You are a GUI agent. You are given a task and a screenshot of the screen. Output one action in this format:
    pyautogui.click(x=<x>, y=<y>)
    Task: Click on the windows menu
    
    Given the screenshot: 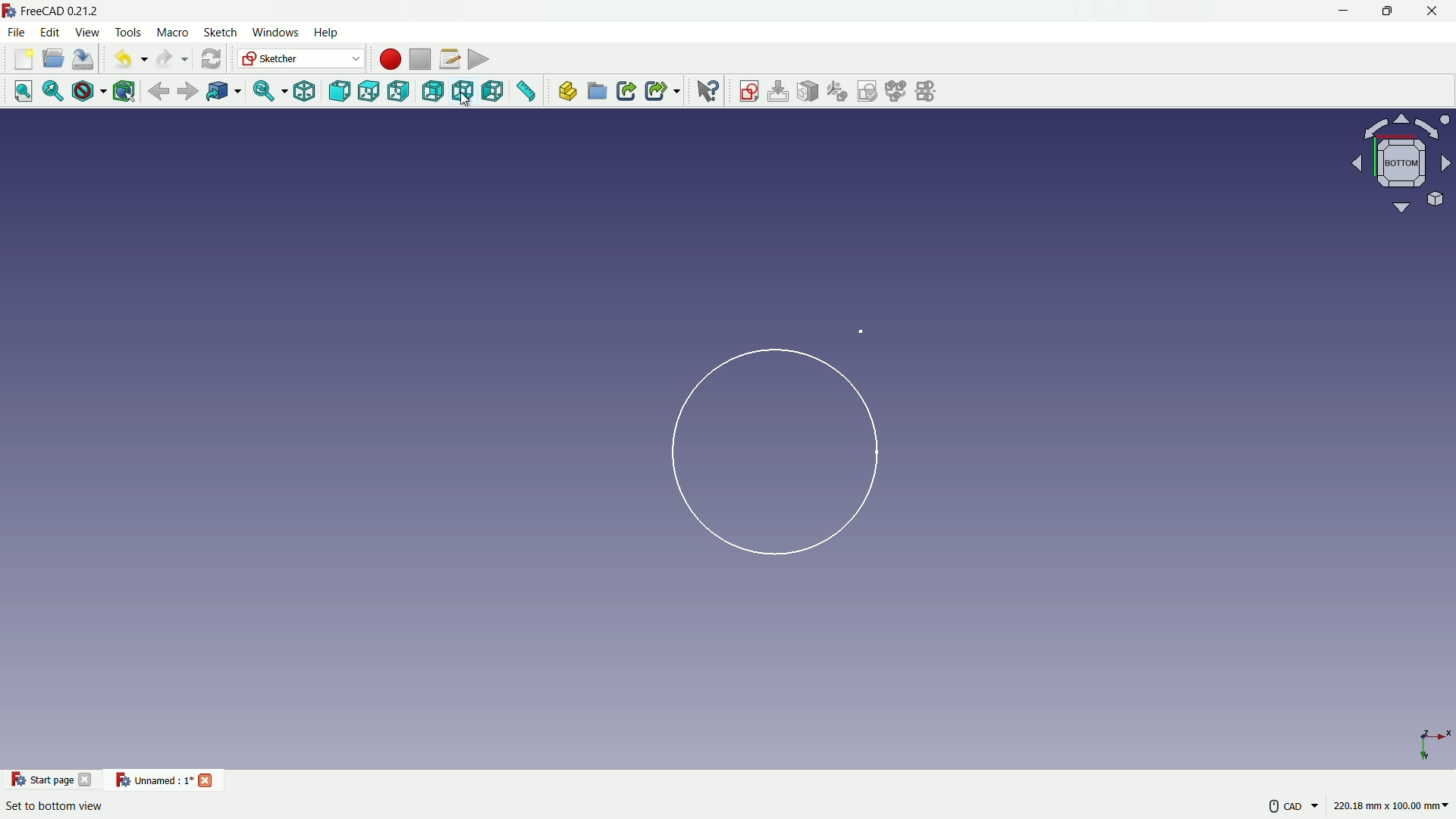 What is the action you would take?
    pyautogui.click(x=276, y=34)
    